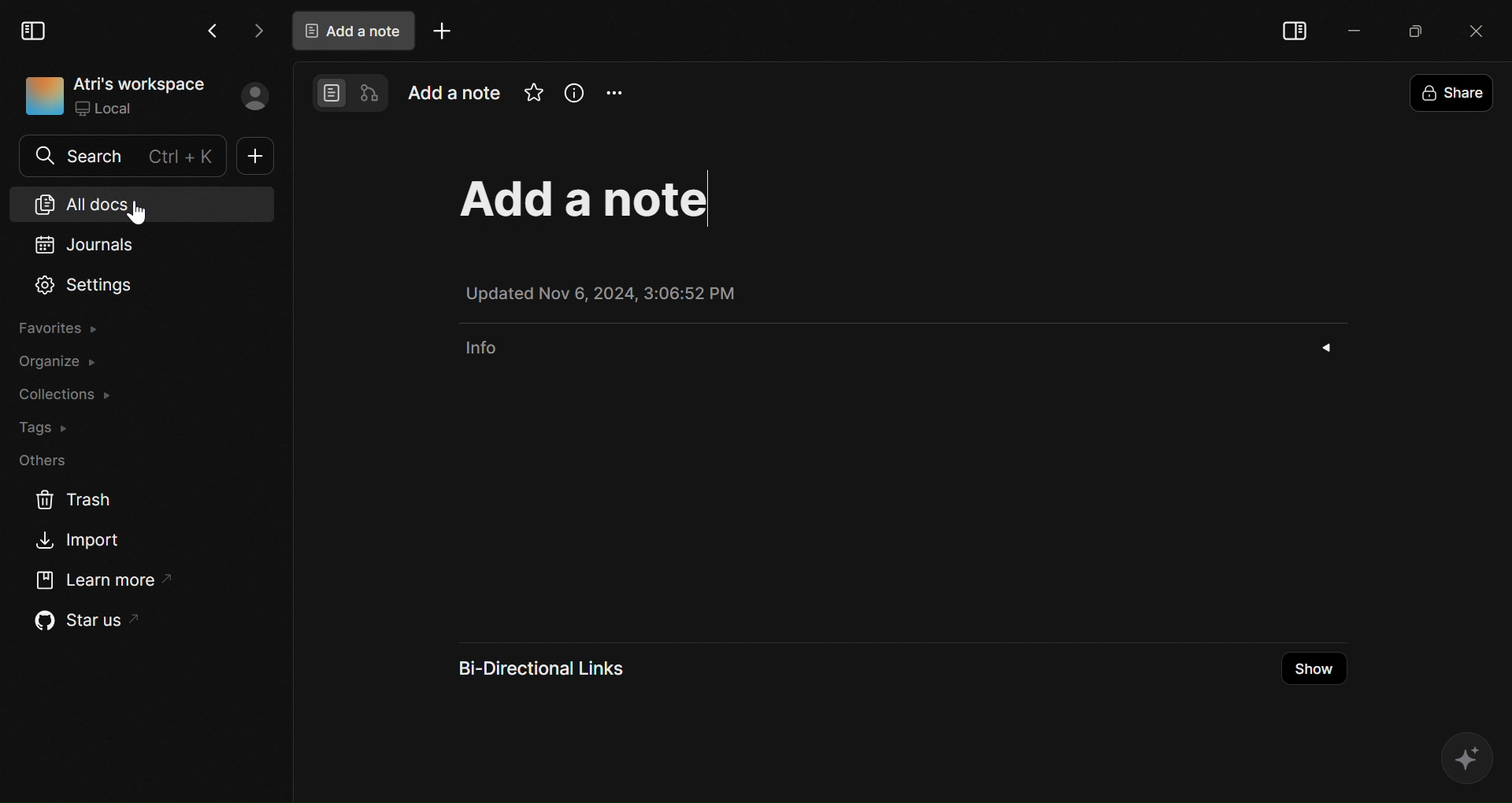 This screenshot has height=803, width=1512. I want to click on Add a note, so click(589, 201).